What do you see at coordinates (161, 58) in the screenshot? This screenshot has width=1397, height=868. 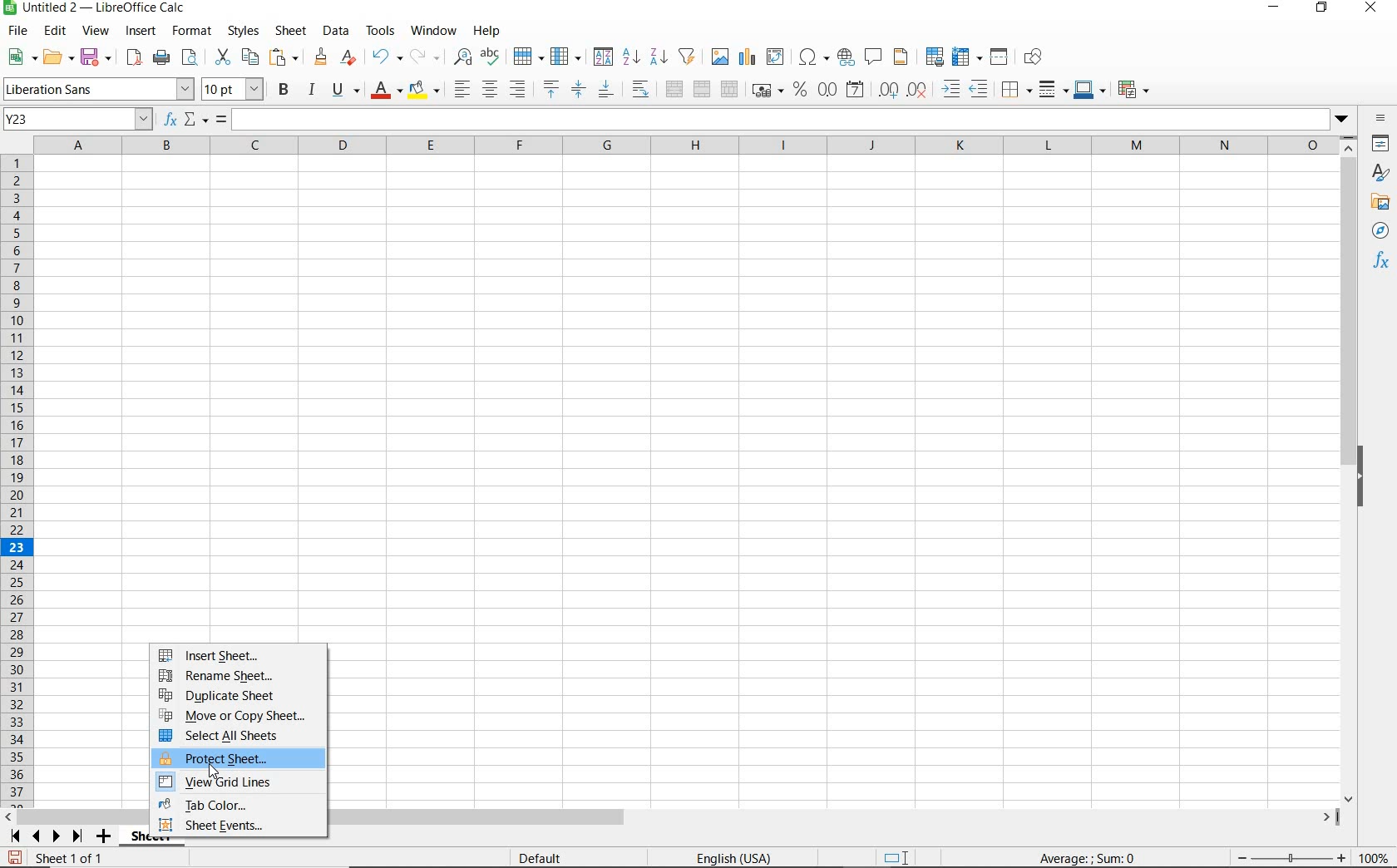 I see `PRINT` at bounding box center [161, 58].